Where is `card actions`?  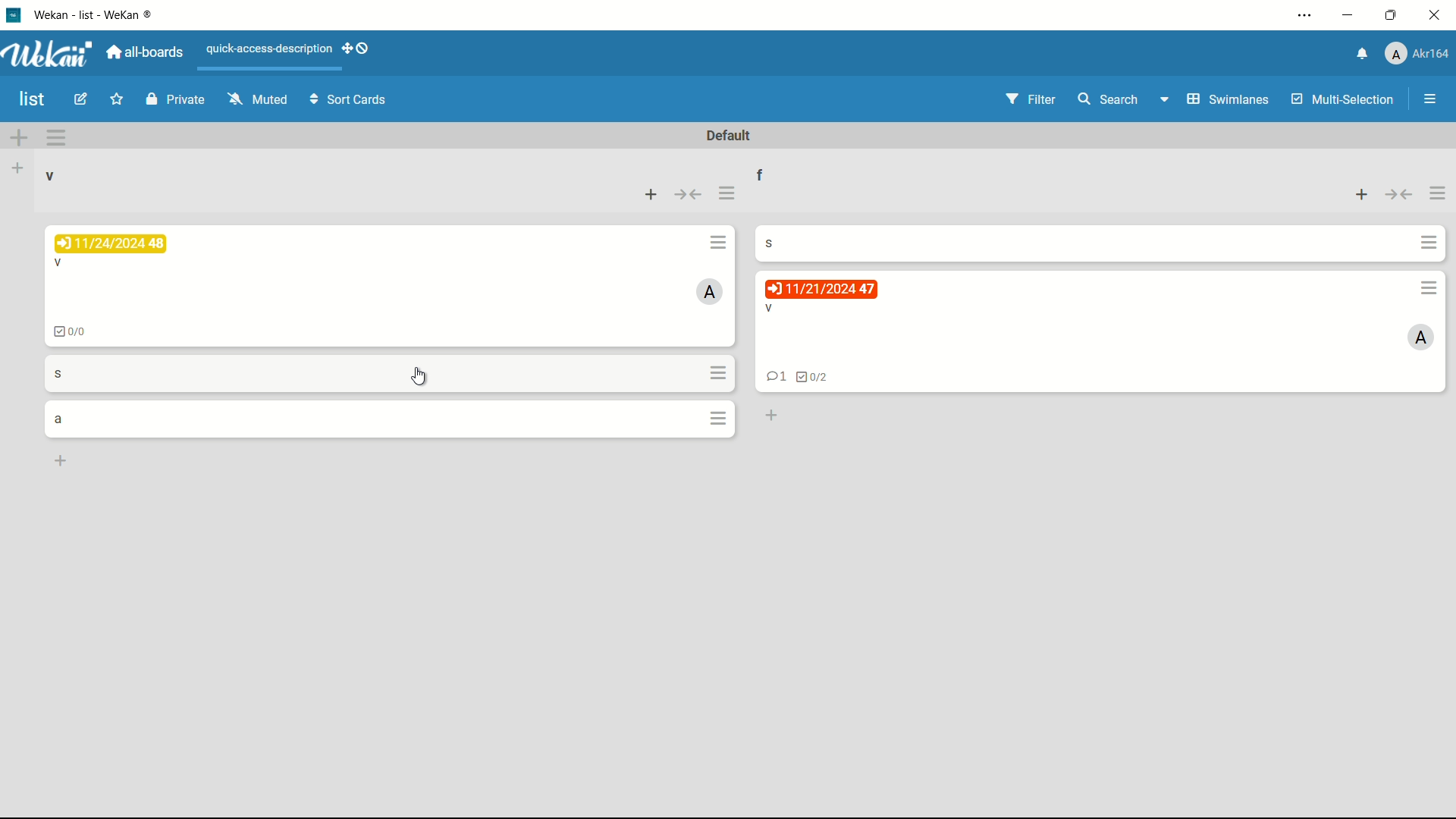
card actions is located at coordinates (720, 242).